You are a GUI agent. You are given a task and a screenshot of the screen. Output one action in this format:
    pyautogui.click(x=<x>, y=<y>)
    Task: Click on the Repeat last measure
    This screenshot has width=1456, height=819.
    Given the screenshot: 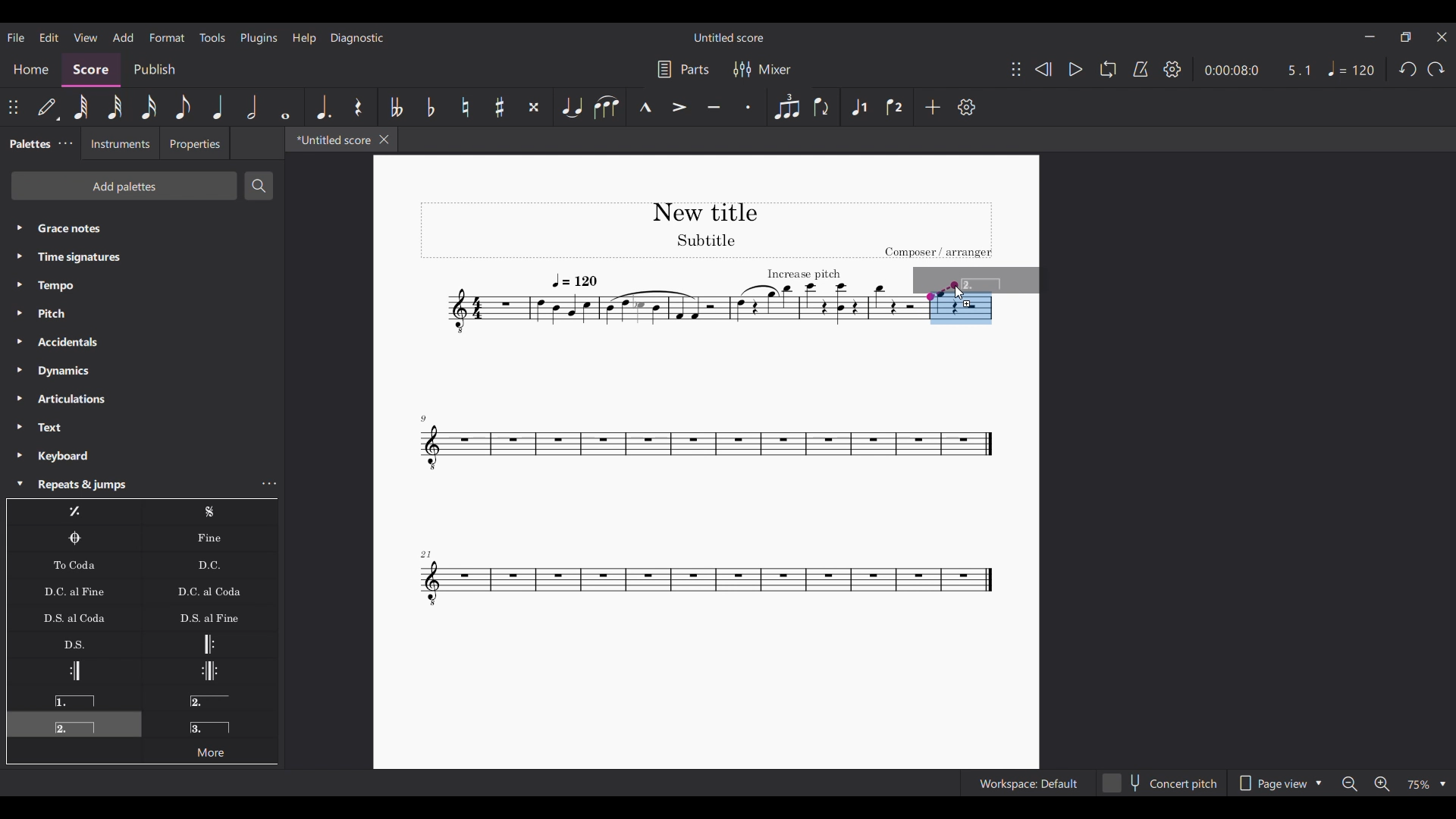 What is the action you would take?
    pyautogui.click(x=74, y=512)
    